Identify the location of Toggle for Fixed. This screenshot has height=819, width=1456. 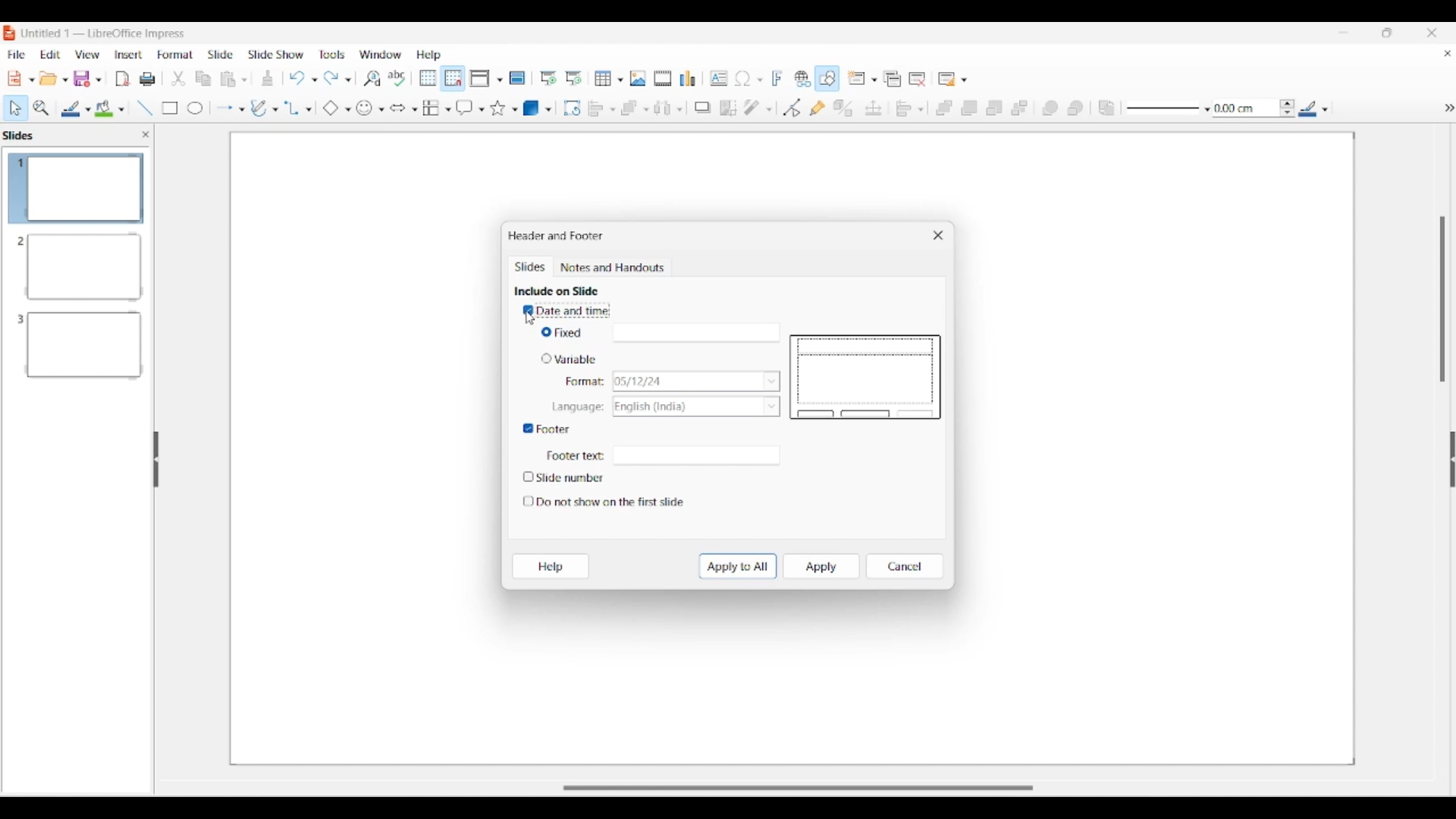
(564, 333).